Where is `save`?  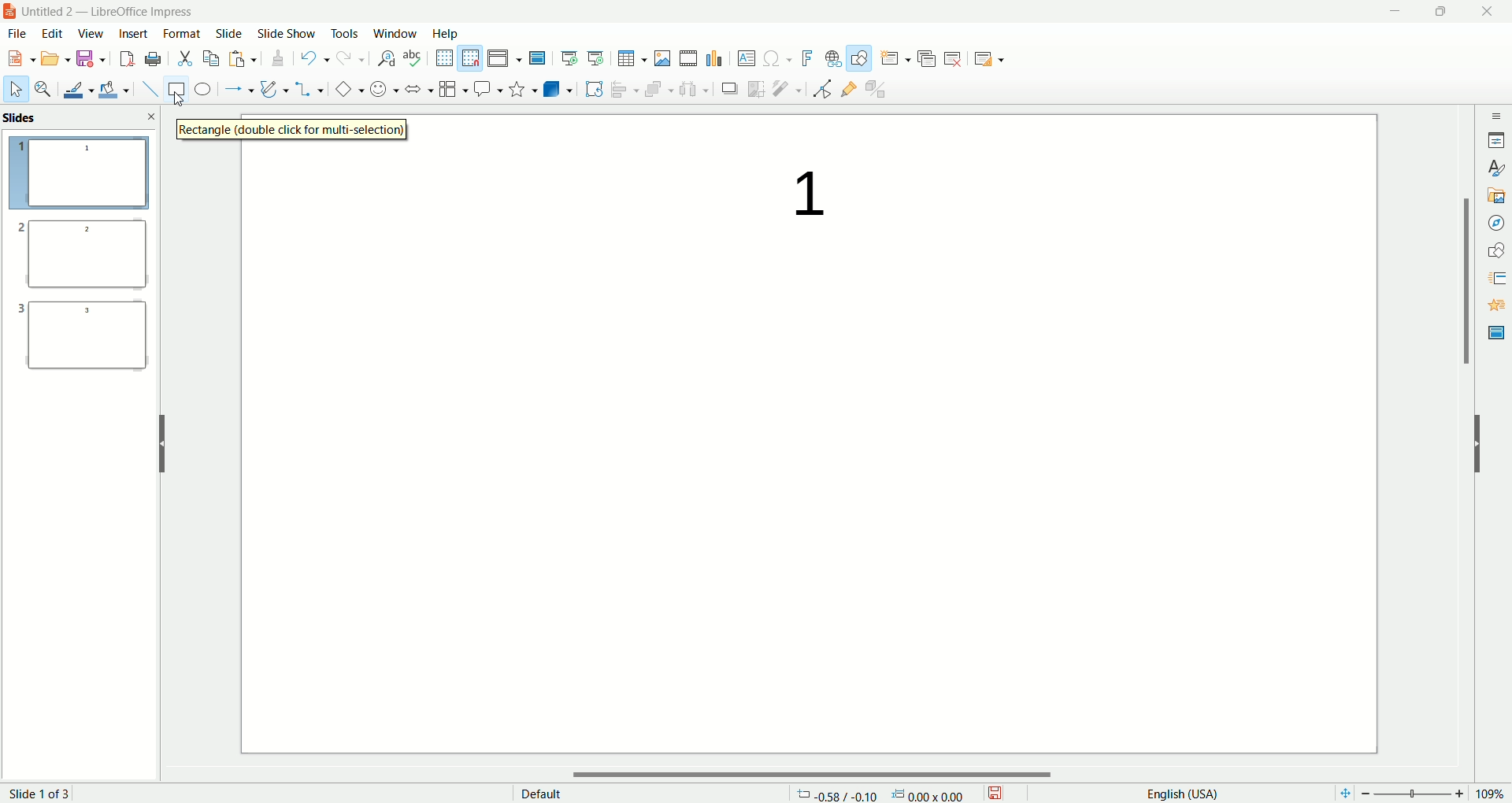
save is located at coordinates (1000, 791).